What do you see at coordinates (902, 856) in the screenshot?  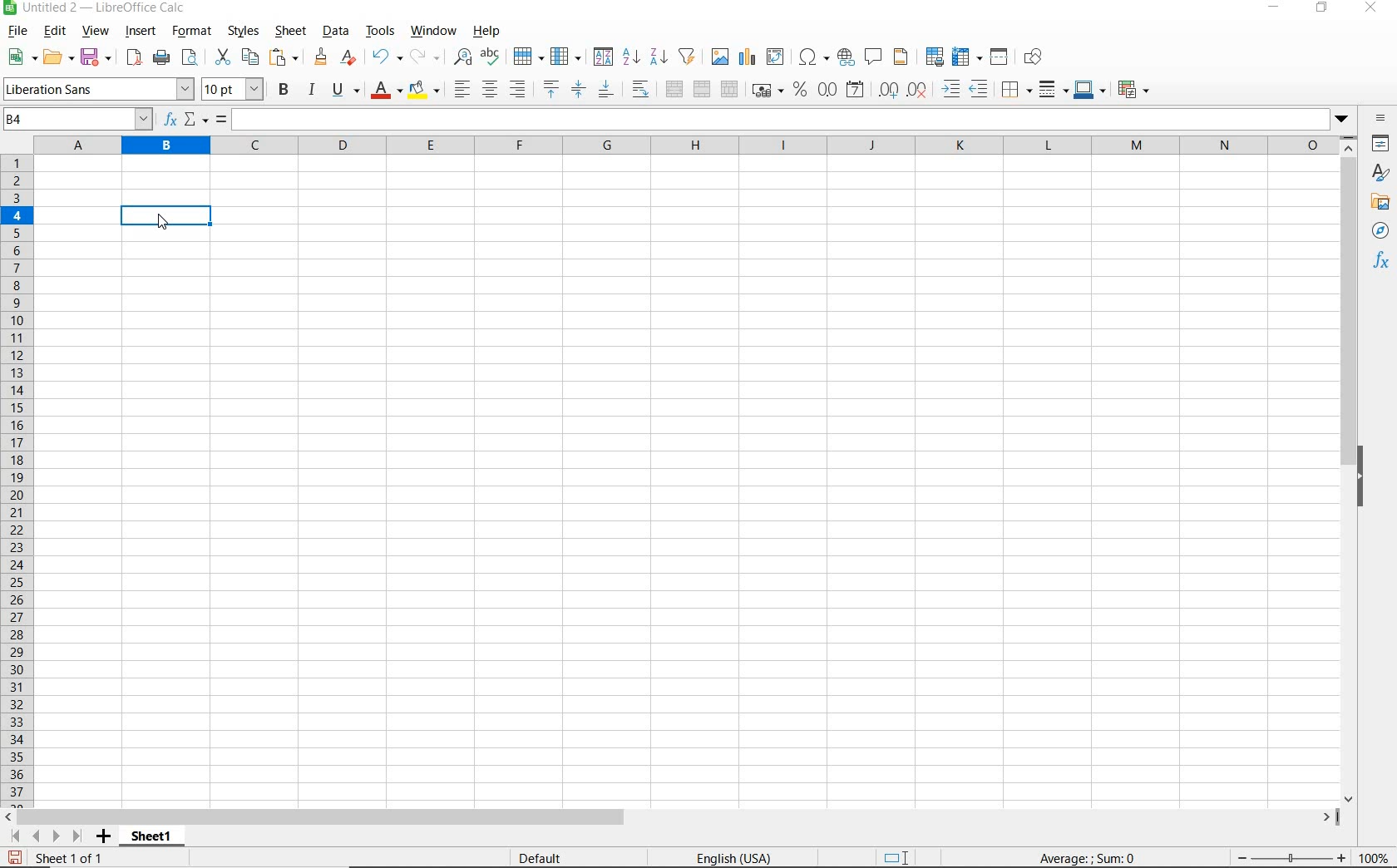 I see `standard selection` at bounding box center [902, 856].